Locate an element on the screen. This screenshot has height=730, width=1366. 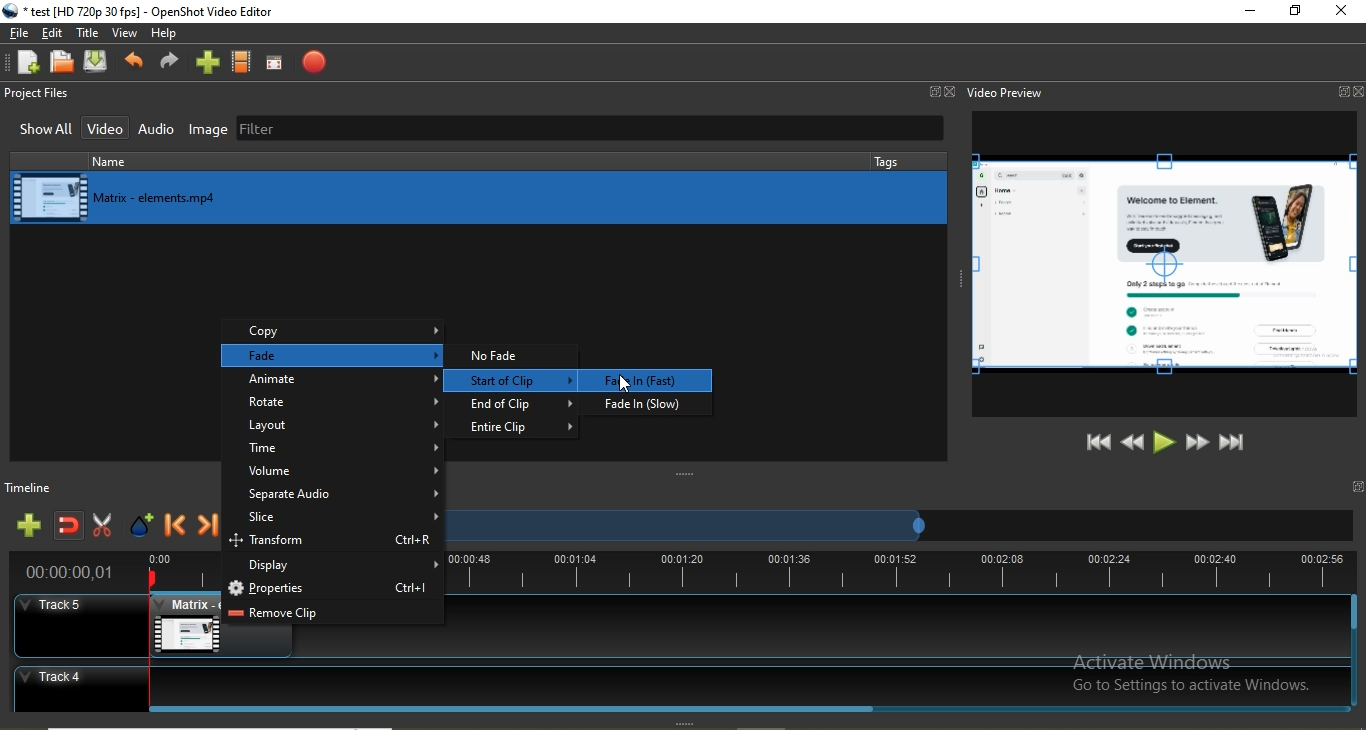
transform is located at coordinates (334, 543).